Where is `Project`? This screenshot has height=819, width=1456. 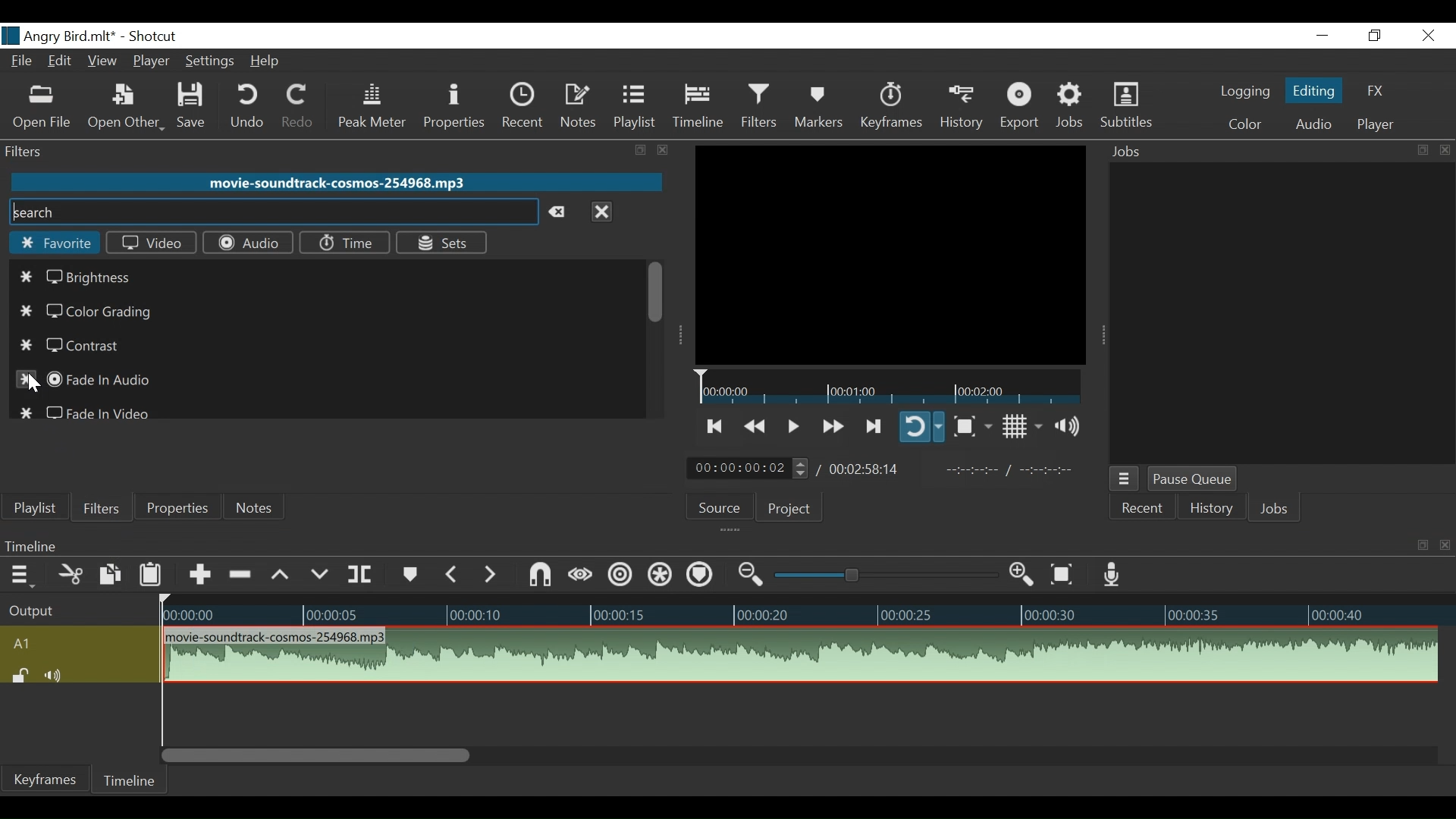 Project is located at coordinates (795, 507).